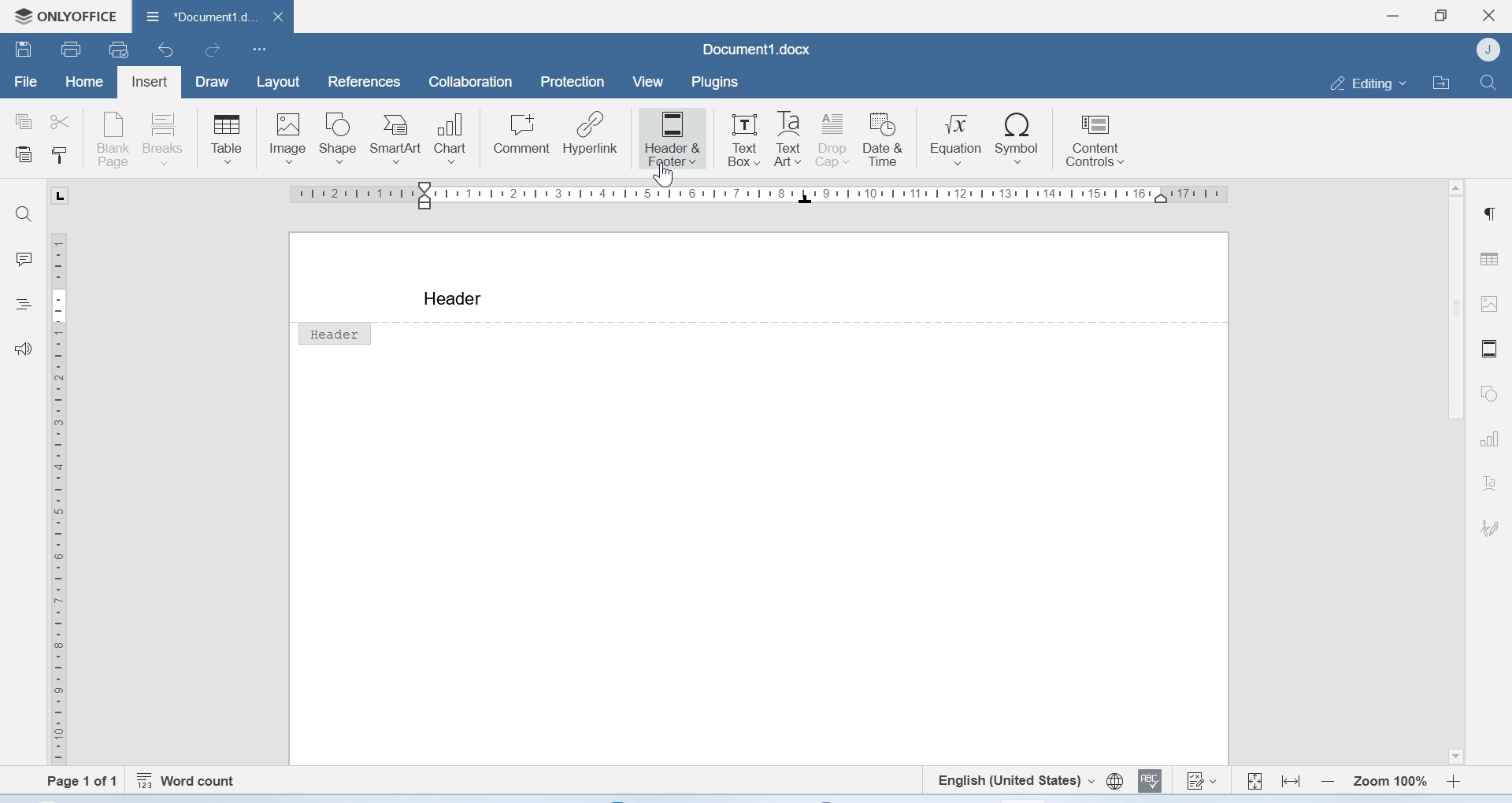 Image resolution: width=1512 pixels, height=803 pixels. Describe the element at coordinates (1492, 254) in the screenshot. I see `Table` at that location.